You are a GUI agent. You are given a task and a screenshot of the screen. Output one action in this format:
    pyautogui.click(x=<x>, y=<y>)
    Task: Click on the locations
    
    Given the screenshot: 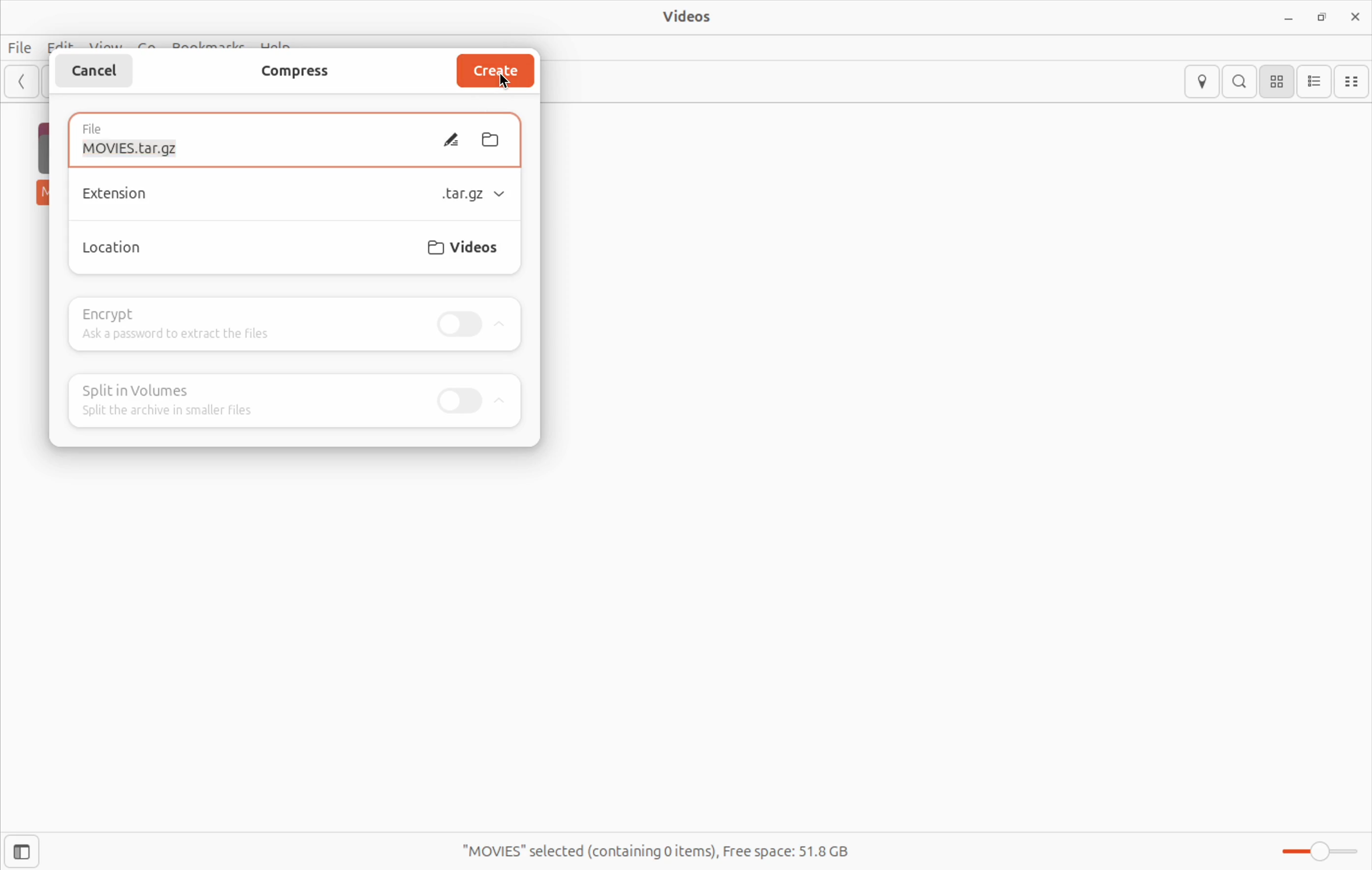 What is the action you would take?
    pyautogui.click(x=115, y=247)
    